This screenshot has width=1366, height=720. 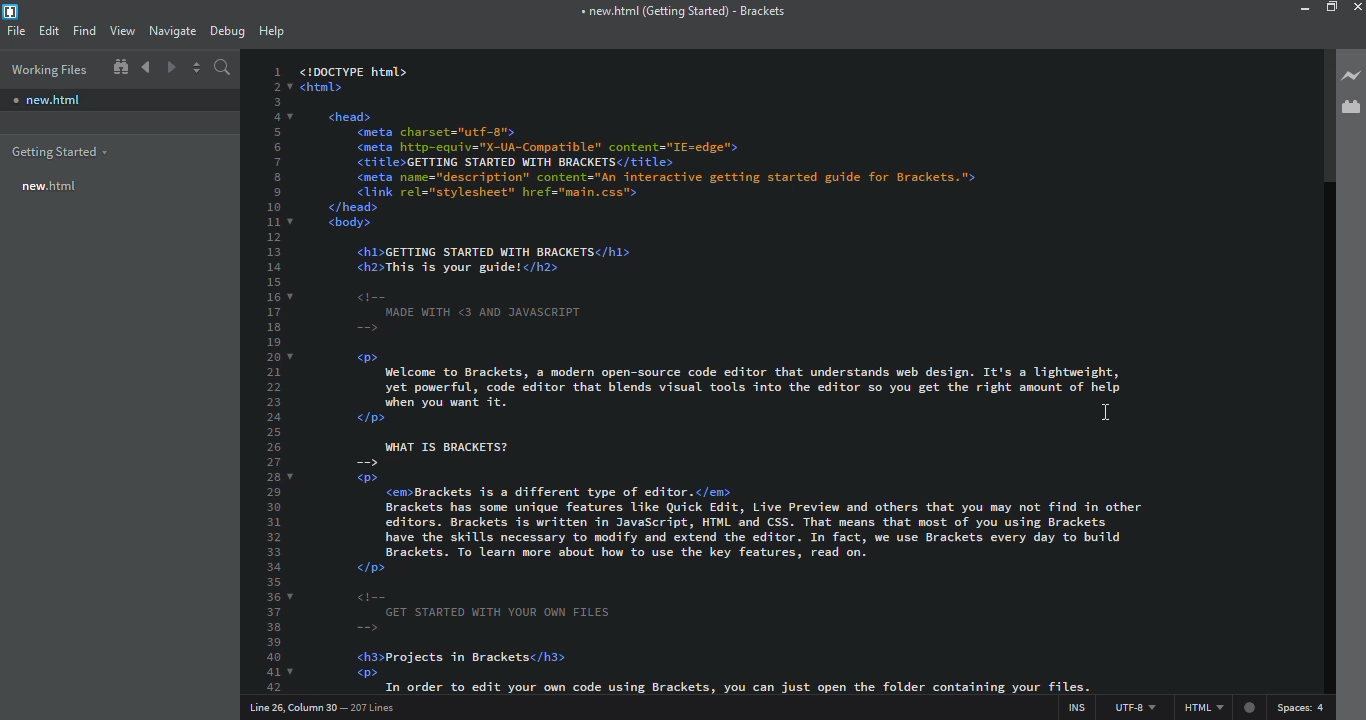 I want to click on navigate back, so click(x=146, y=67).